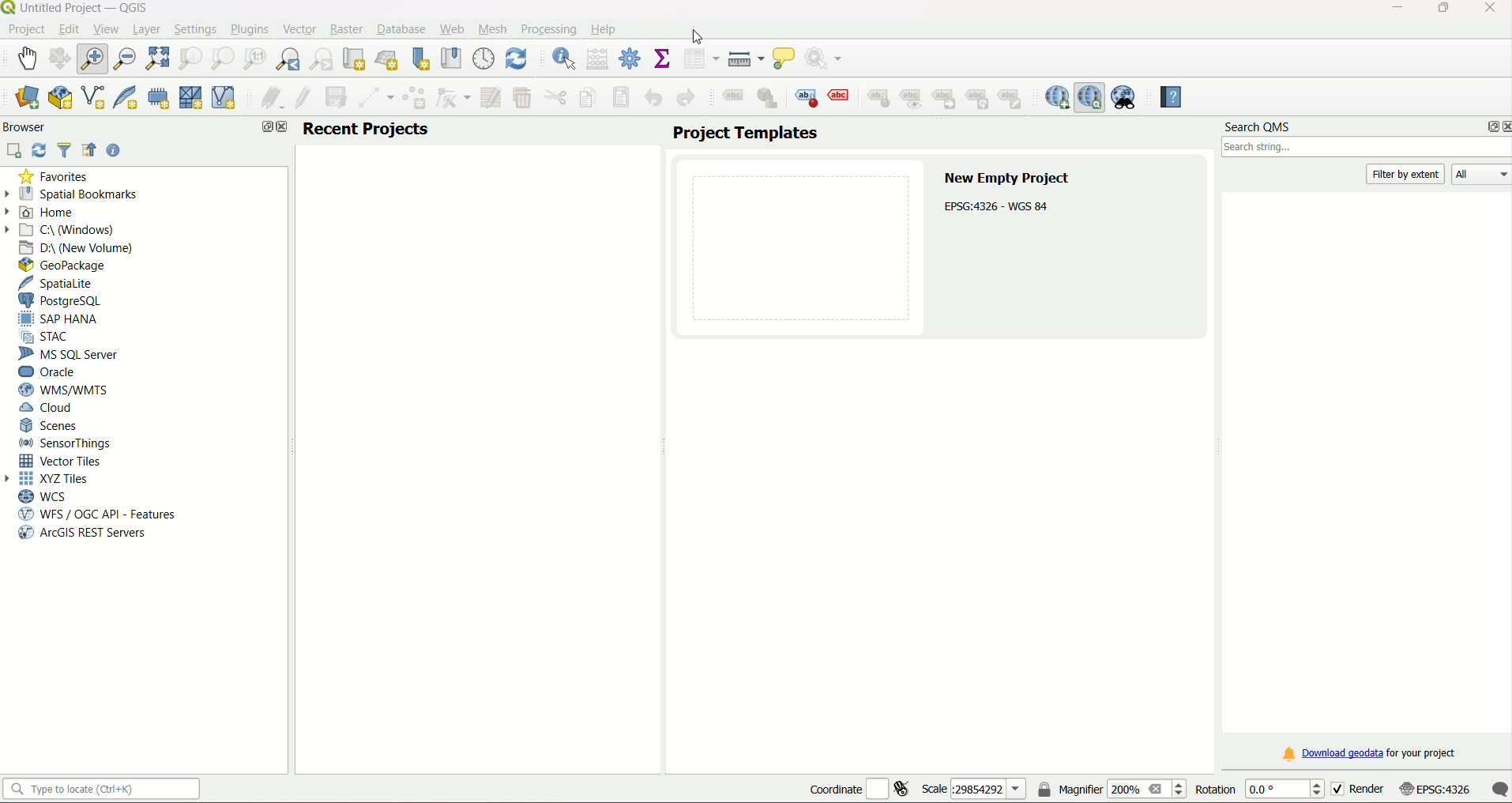 Image resolution: width=1512 pixels, height=803 pixels. What do you see at coordinates (1258, 128) in the screenshot?
I see `search QMS` at bounding box center [1258, 128].